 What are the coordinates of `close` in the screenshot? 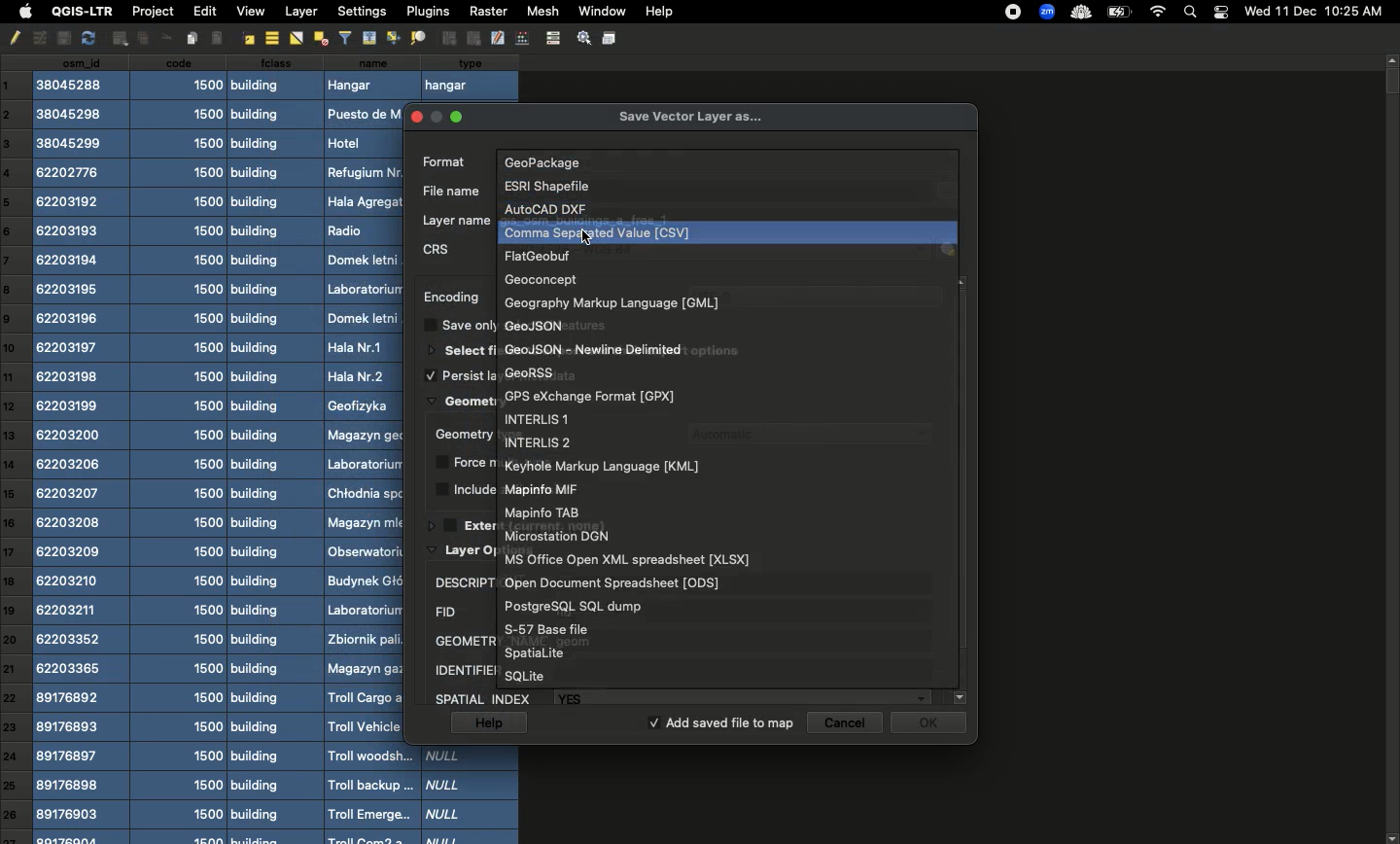 It's located at (416, 112).